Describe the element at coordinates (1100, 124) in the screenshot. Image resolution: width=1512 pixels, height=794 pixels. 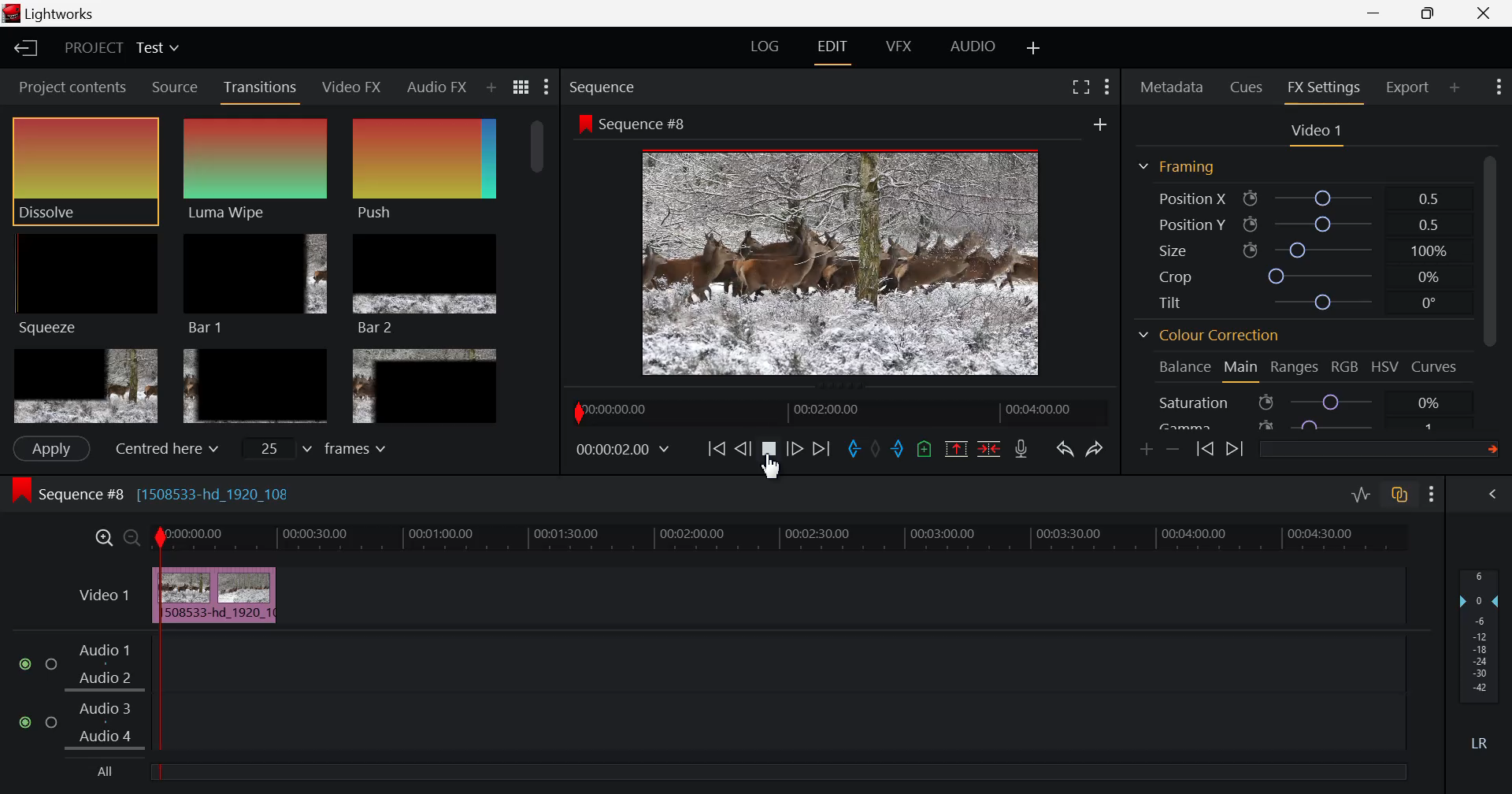
I see `Add` at that location.